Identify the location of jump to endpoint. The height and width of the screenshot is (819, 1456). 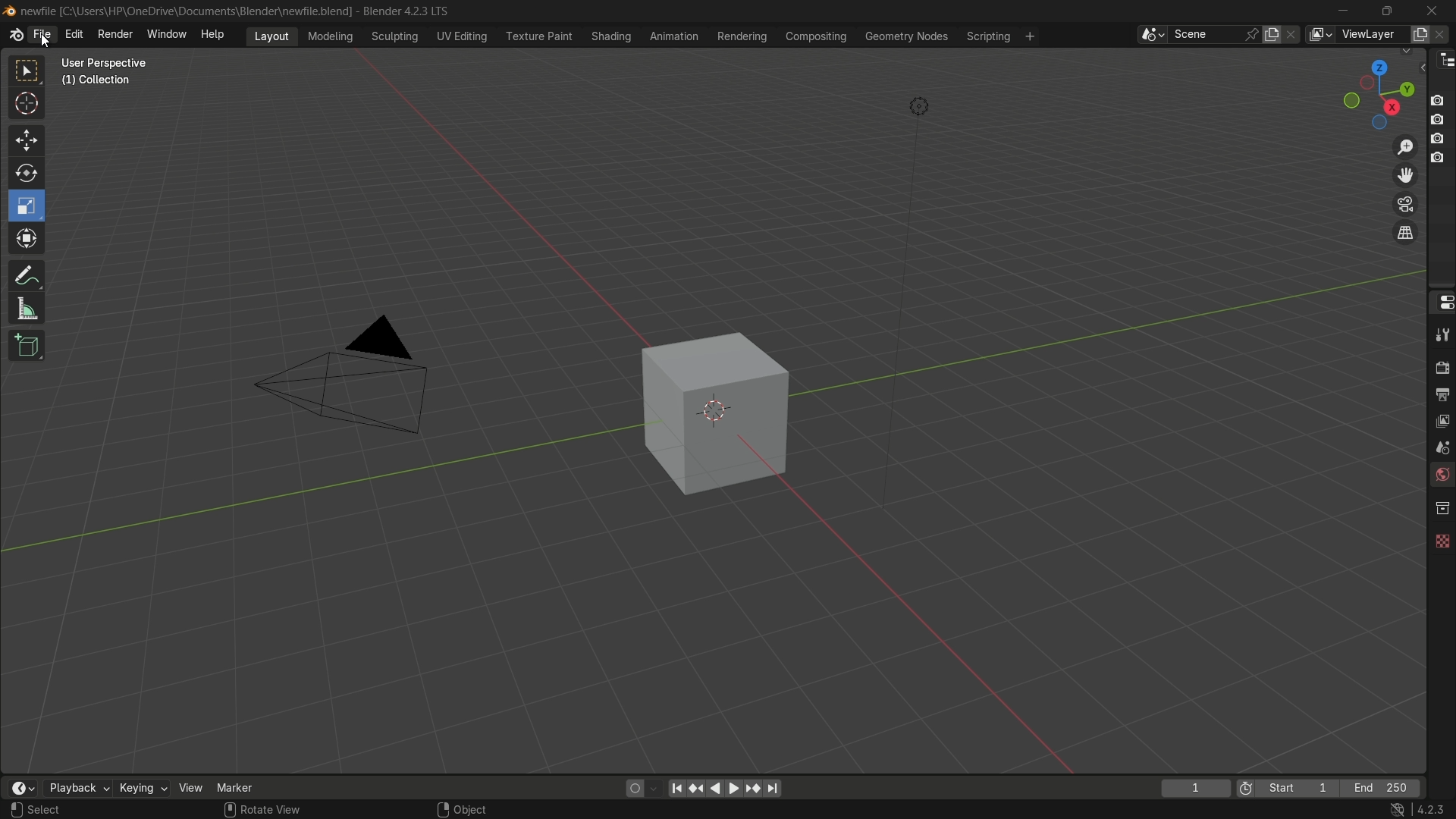
(773, 789).